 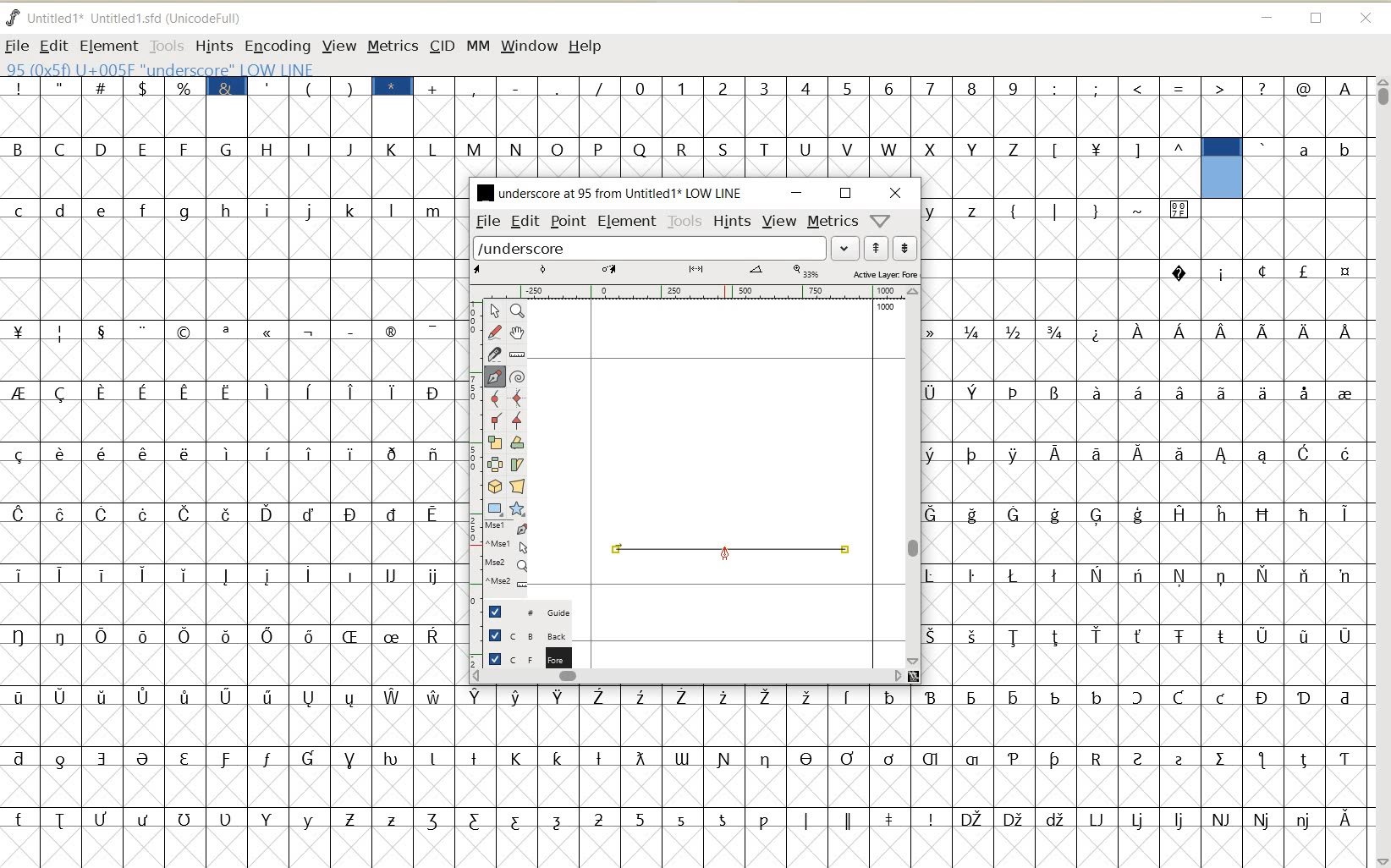 What do you see at coordinates (798, 193) in the screenshot?
I see `MINIMIZE` at bounding box center [798, 193].